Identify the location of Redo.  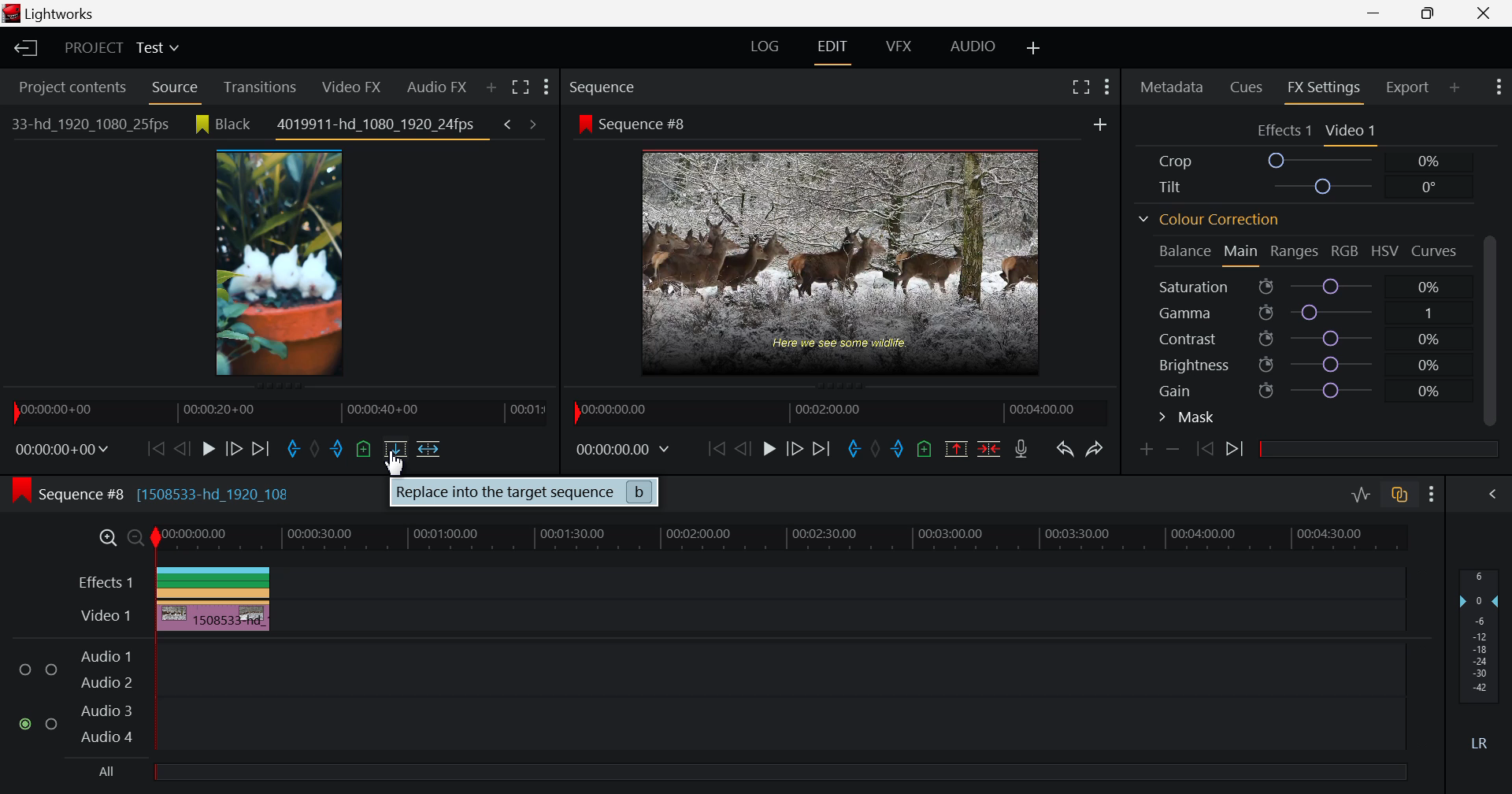
(1097, 449).